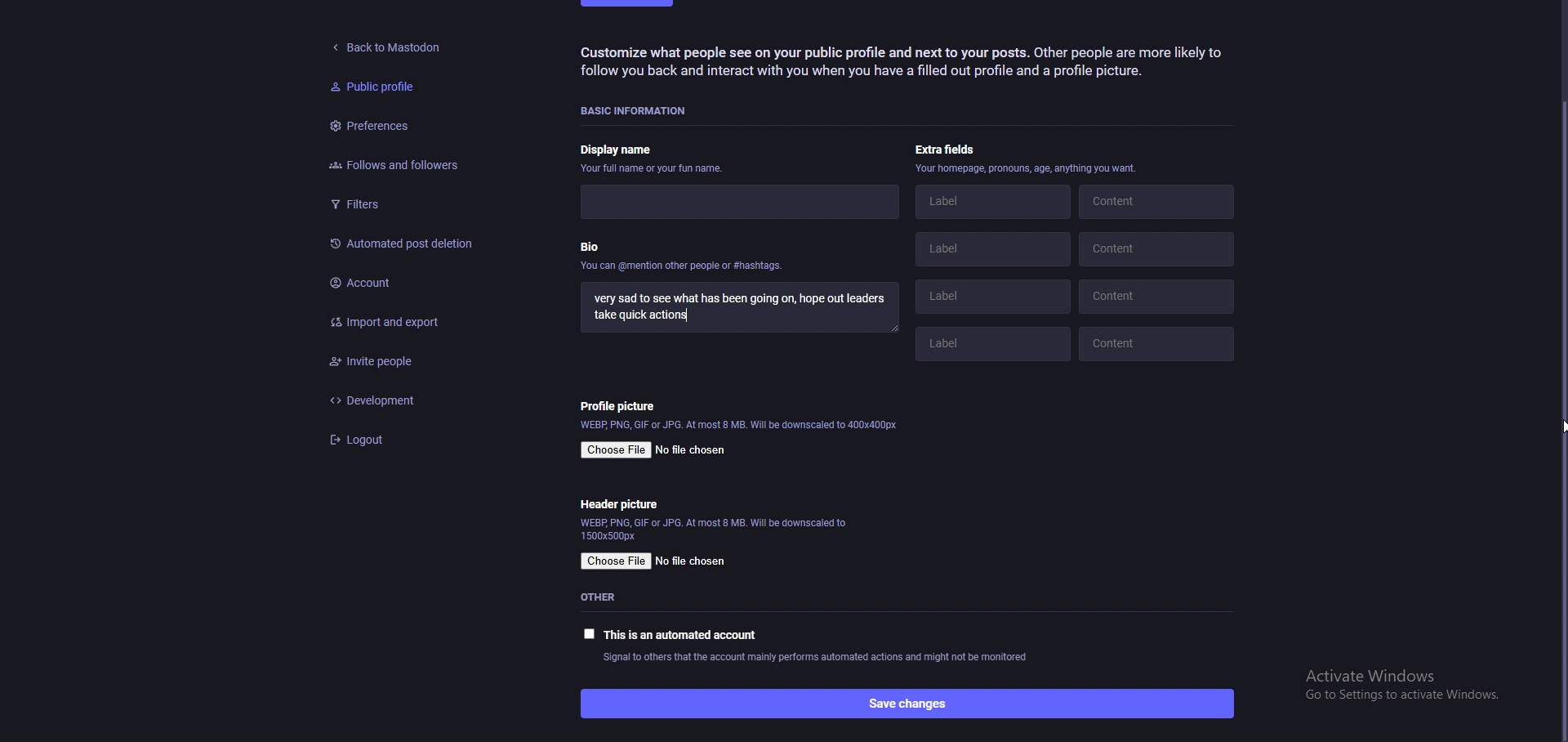  What do you see at coordinates (1160, 251) in the screenshot?
I see `content` at bounding box center [1160, 251].